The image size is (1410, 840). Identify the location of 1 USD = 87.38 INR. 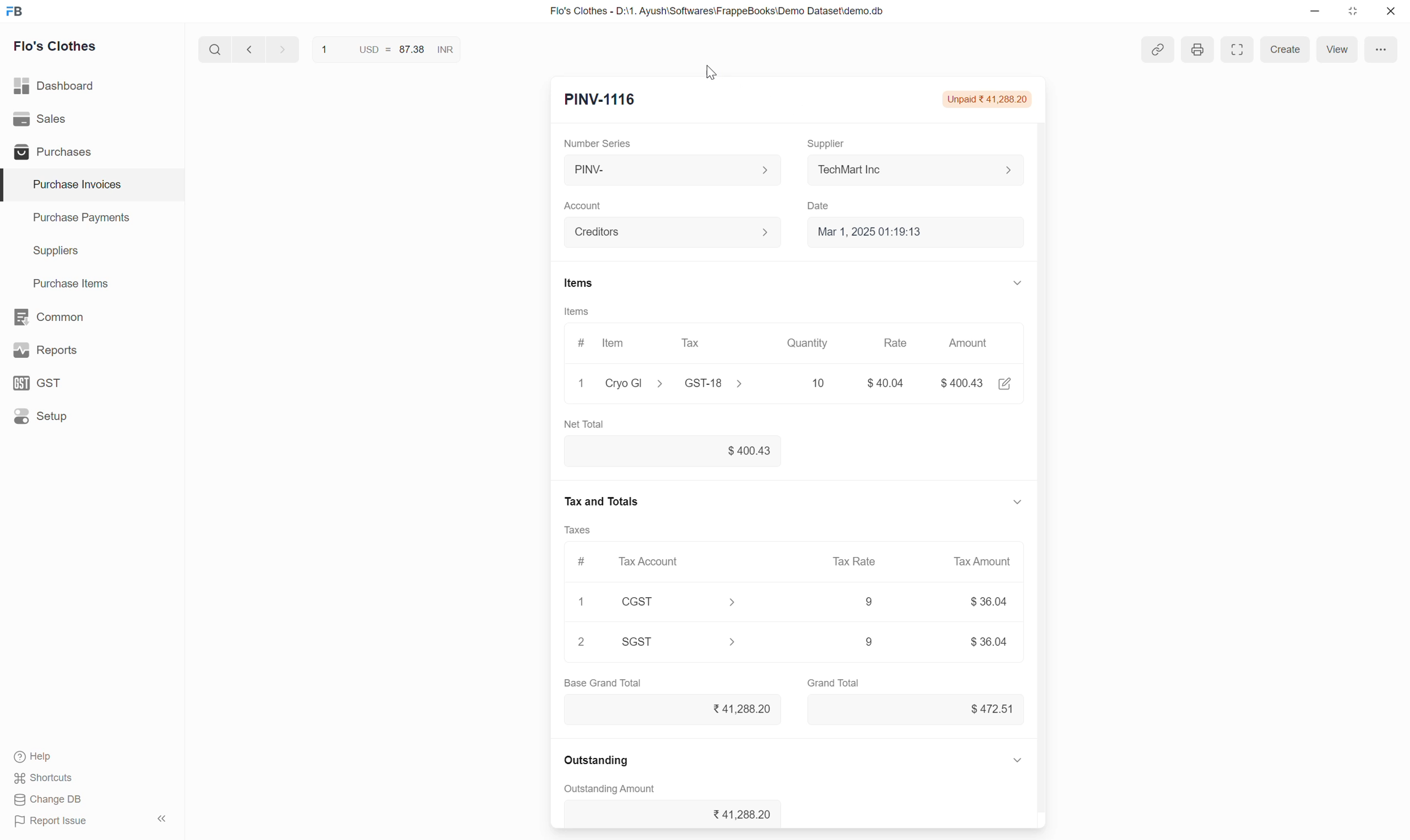
(385, 48).